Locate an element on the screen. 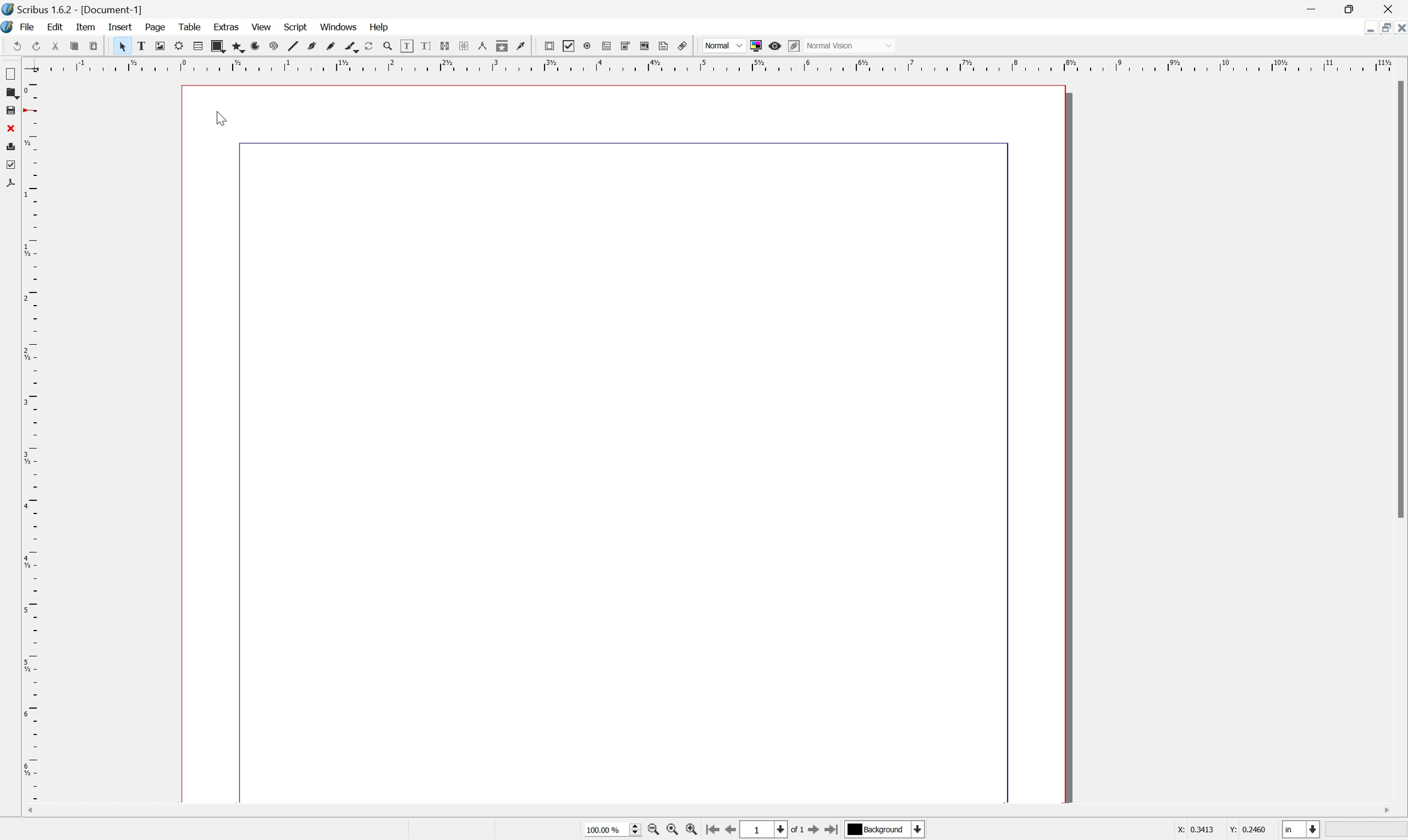  close is located at coordinates (1399, 29).